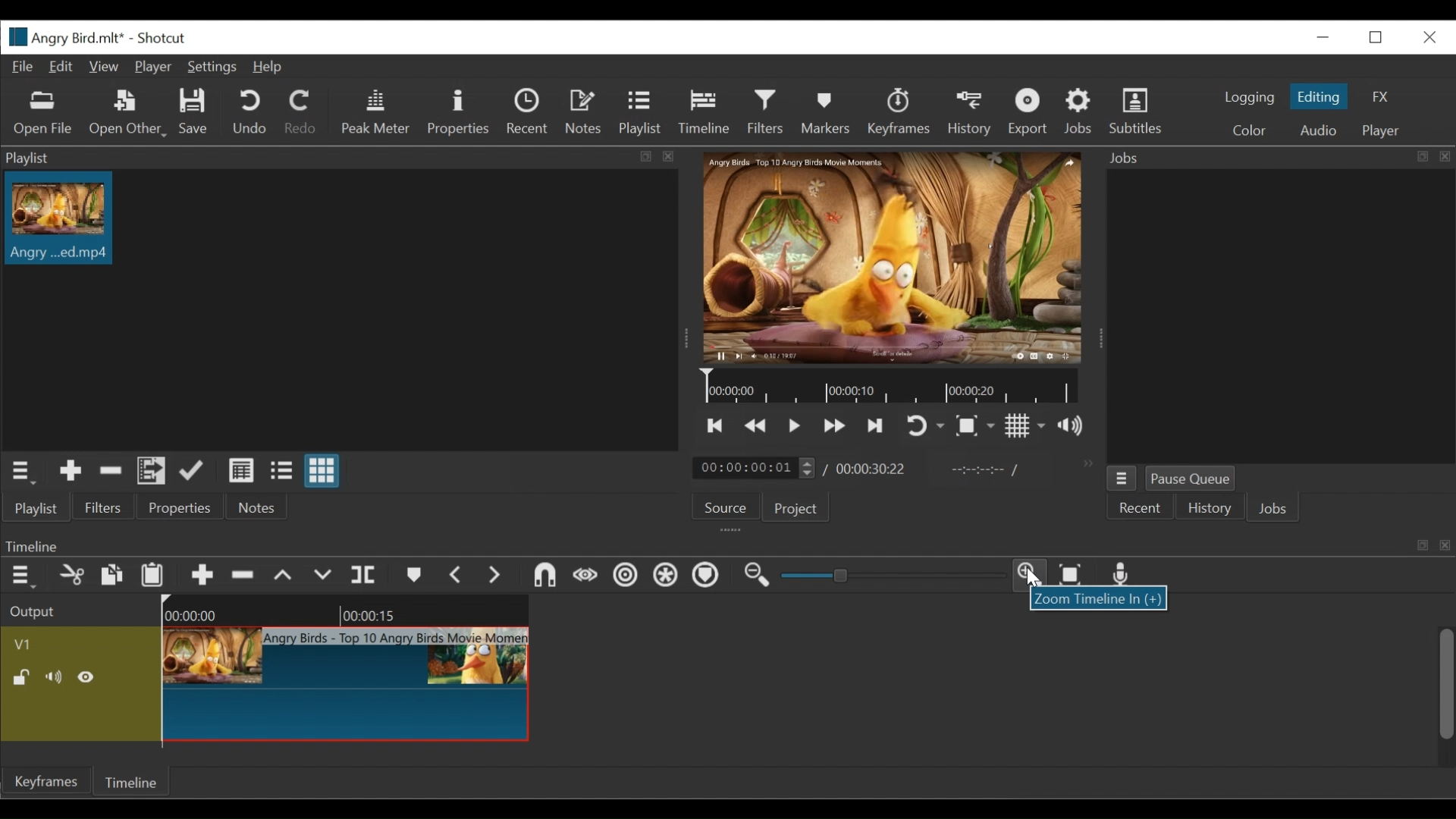 Image resolution: width=1456 pixels, height=819 pixels. What do you see at coordinates (1276, 508) in the screenshot?
I see `Jobs` at bounding box center [1276, 508].